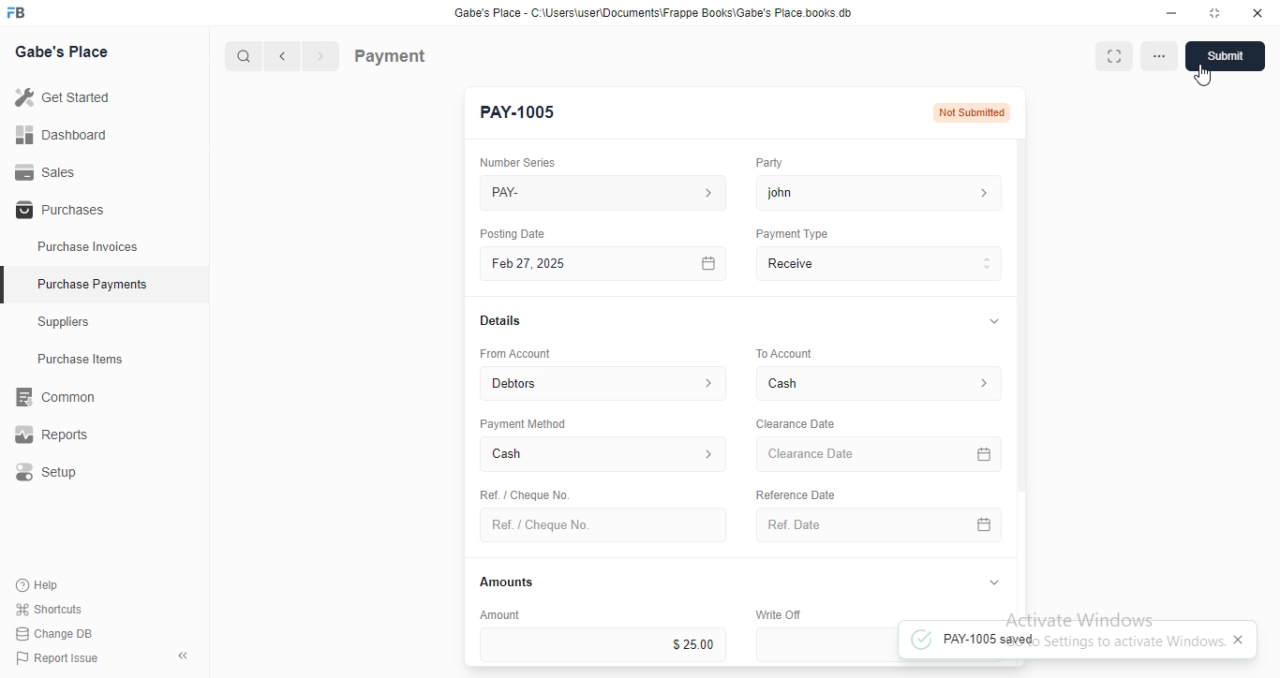 This screenshot has height=678, width=1280. I want to click on Write Off, so click(776, 614).